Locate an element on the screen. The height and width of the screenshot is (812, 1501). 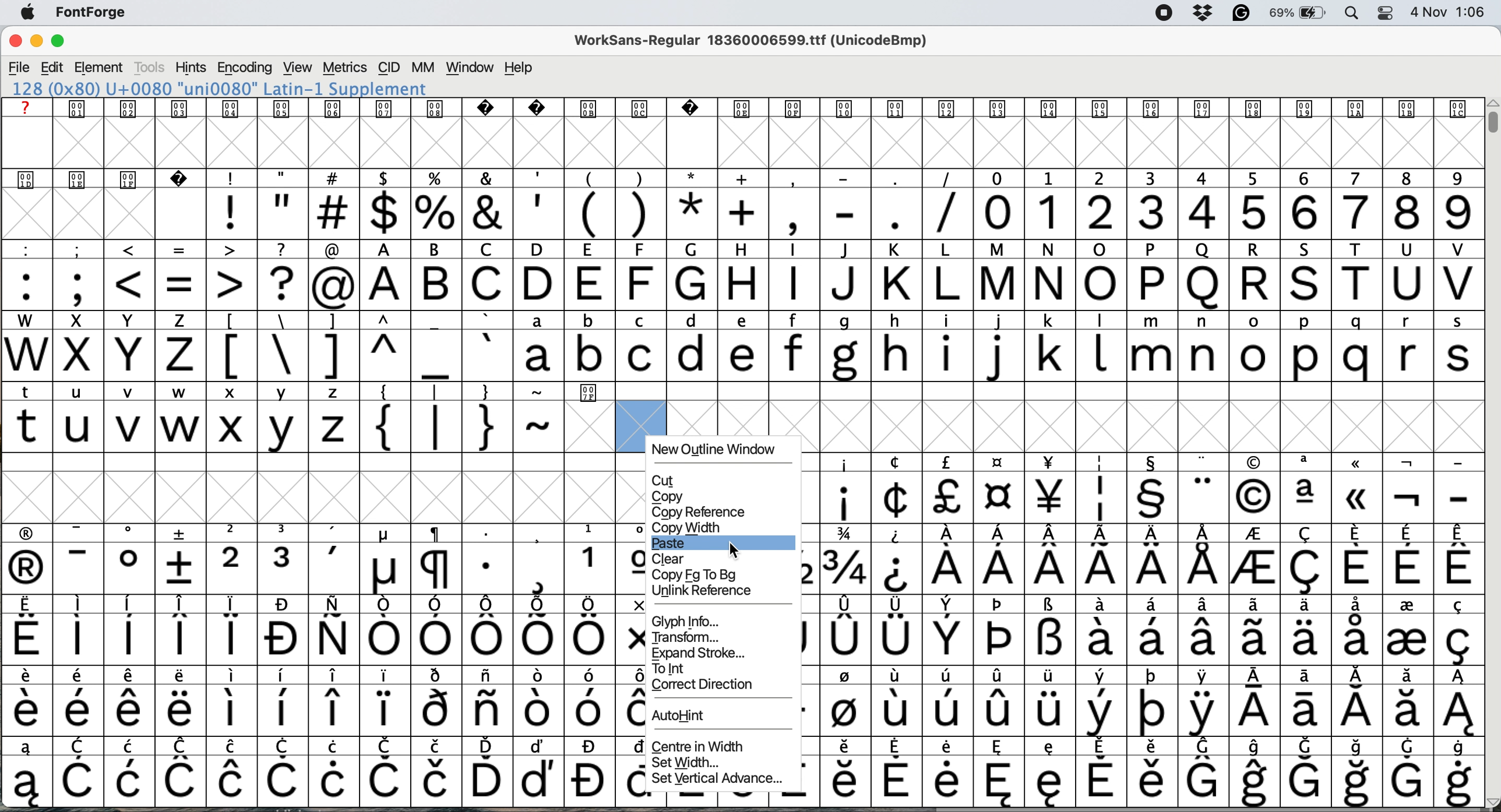
new outline window is located at coordinates (720, 450).